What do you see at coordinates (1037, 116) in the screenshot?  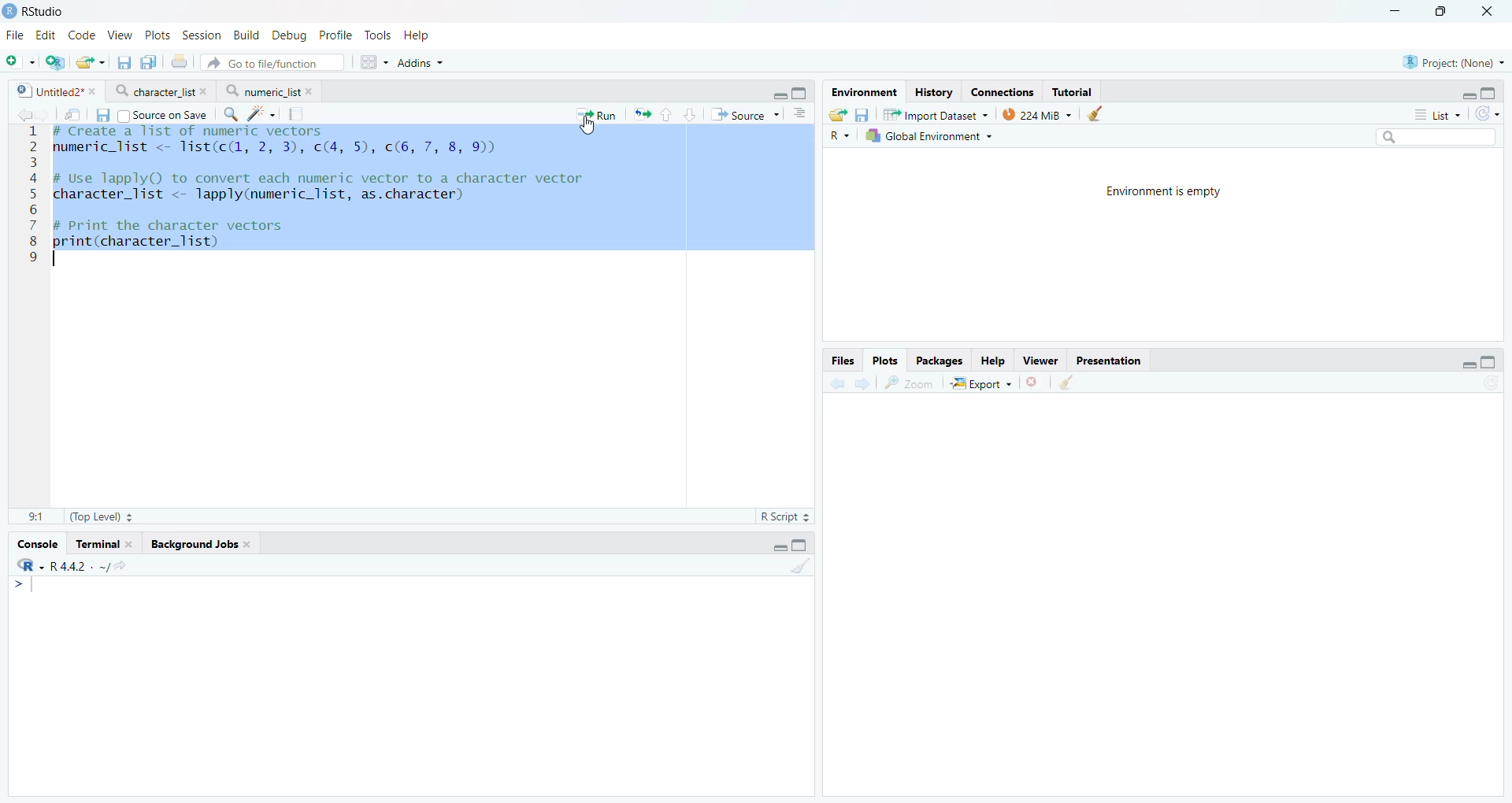 I see `224M` at bounding box center [1037, 116].